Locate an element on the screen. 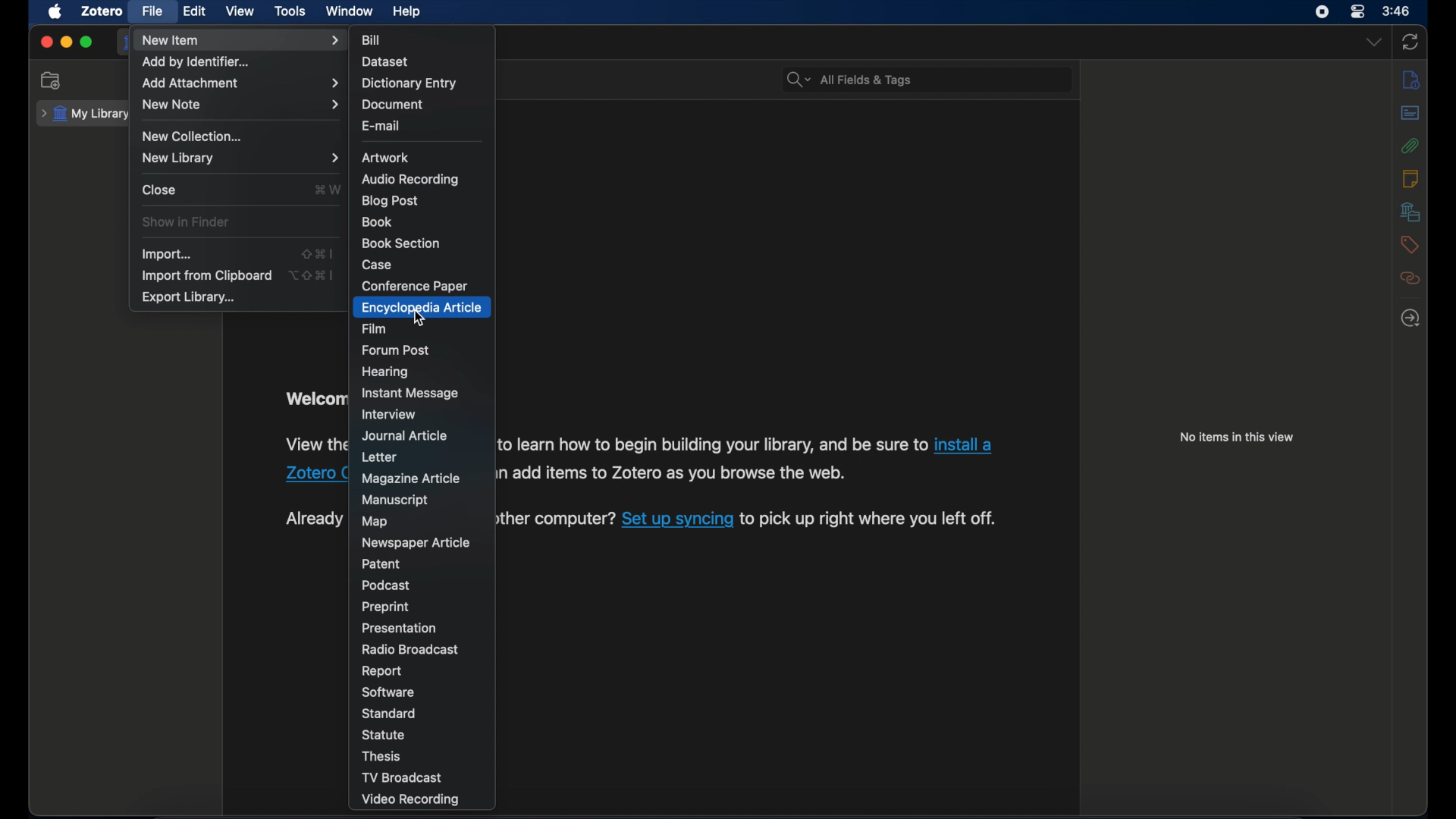 This screenshot has width=1456, height=819. syncing instruction is located at coordinates (313, 519).